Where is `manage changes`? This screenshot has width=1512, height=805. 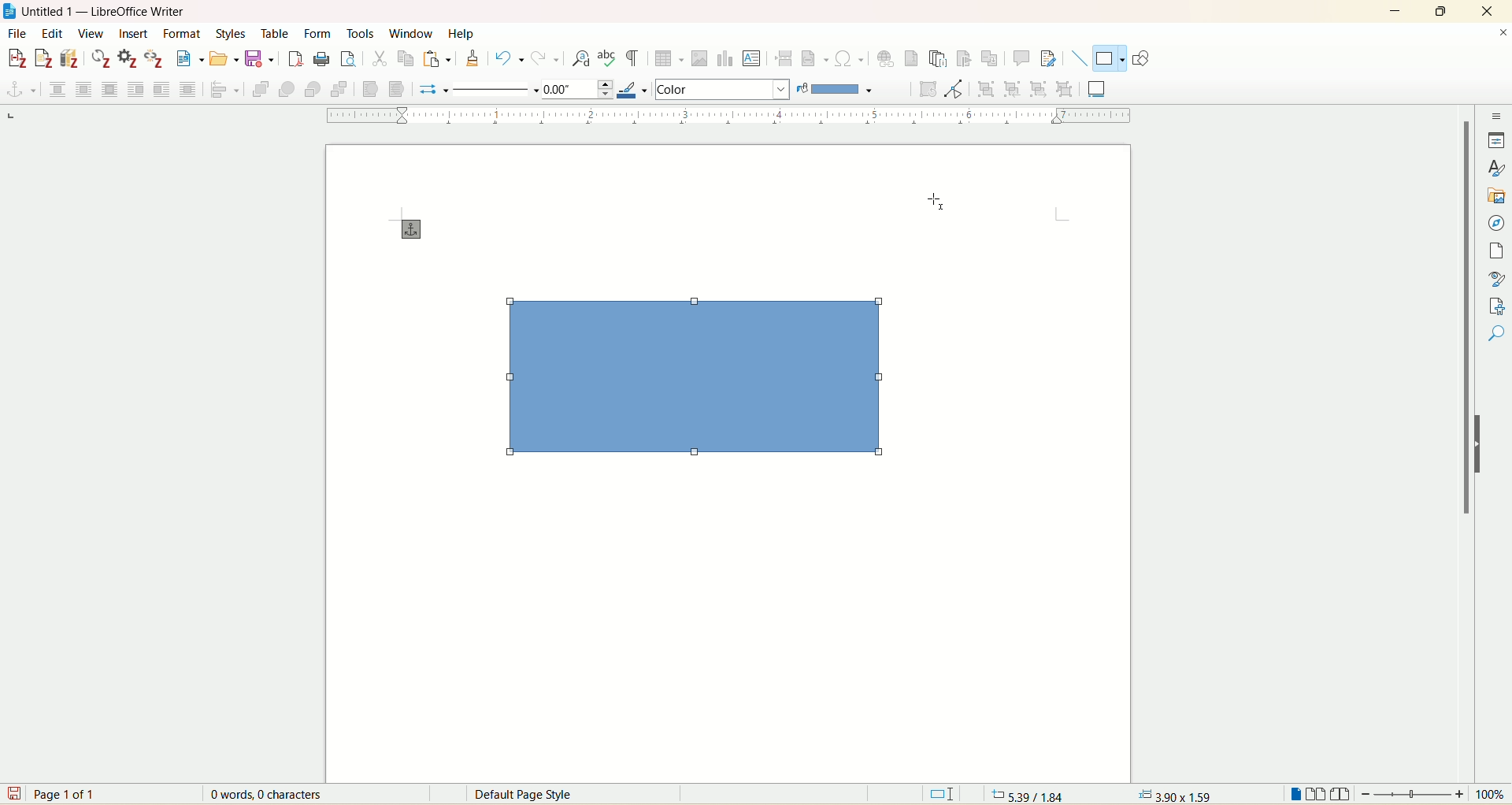 manage changes is located at coordinates (1498, 305).